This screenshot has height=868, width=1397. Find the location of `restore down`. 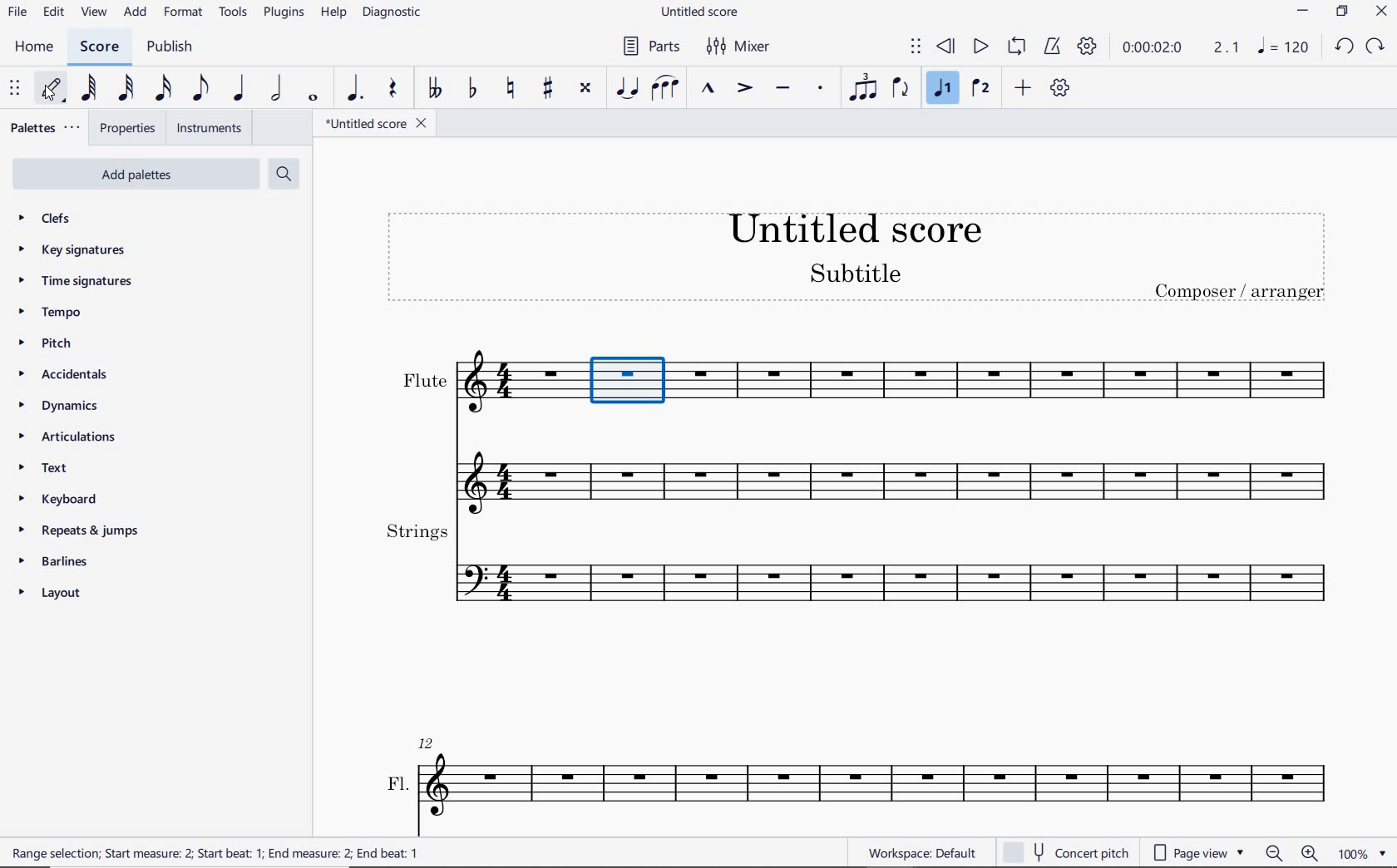

restore down is located at coordinates (1340, 13).